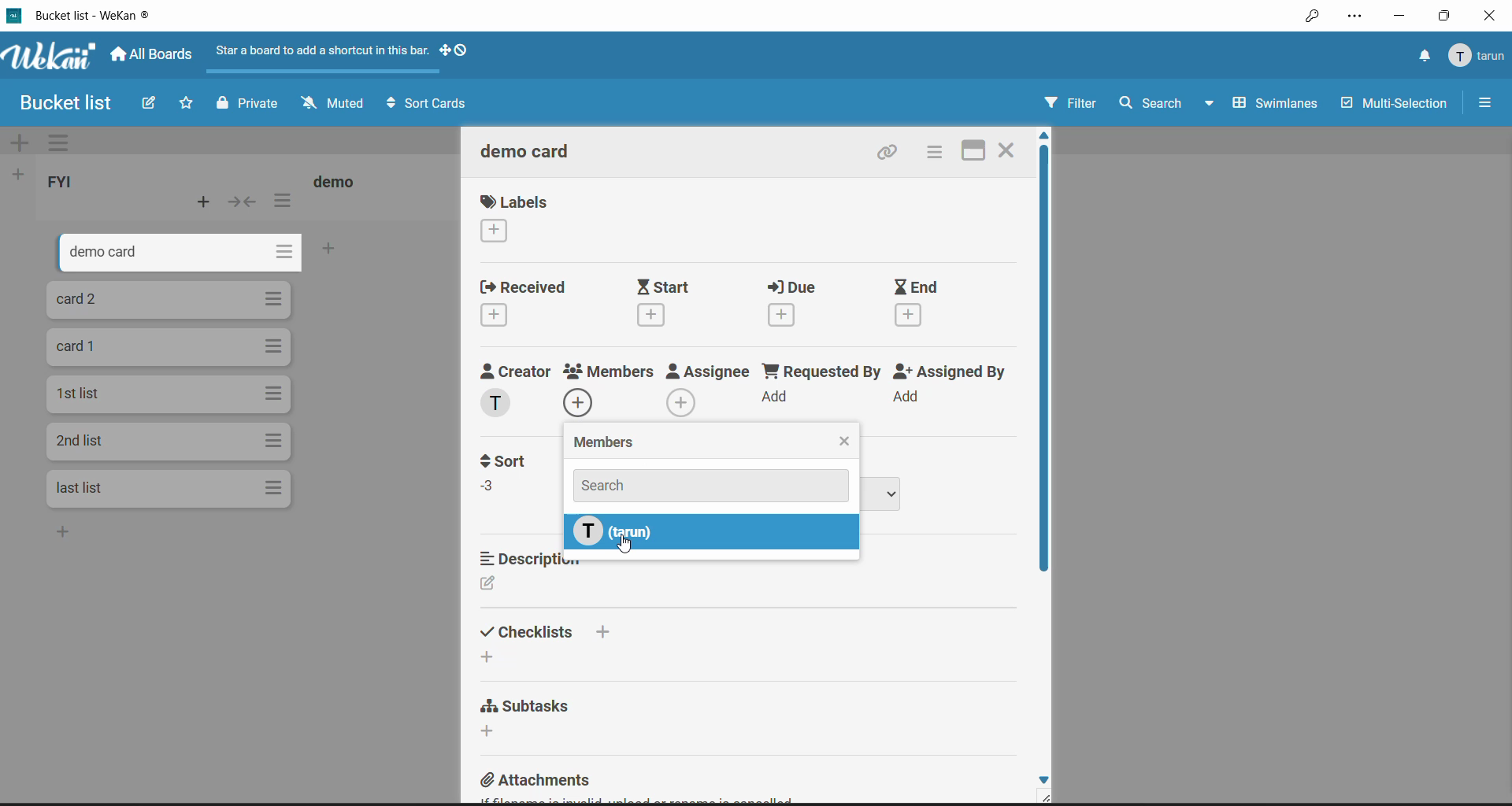  Describe the element at coordinates (538, 782) in the screenshot. I see `attachments` at that location.